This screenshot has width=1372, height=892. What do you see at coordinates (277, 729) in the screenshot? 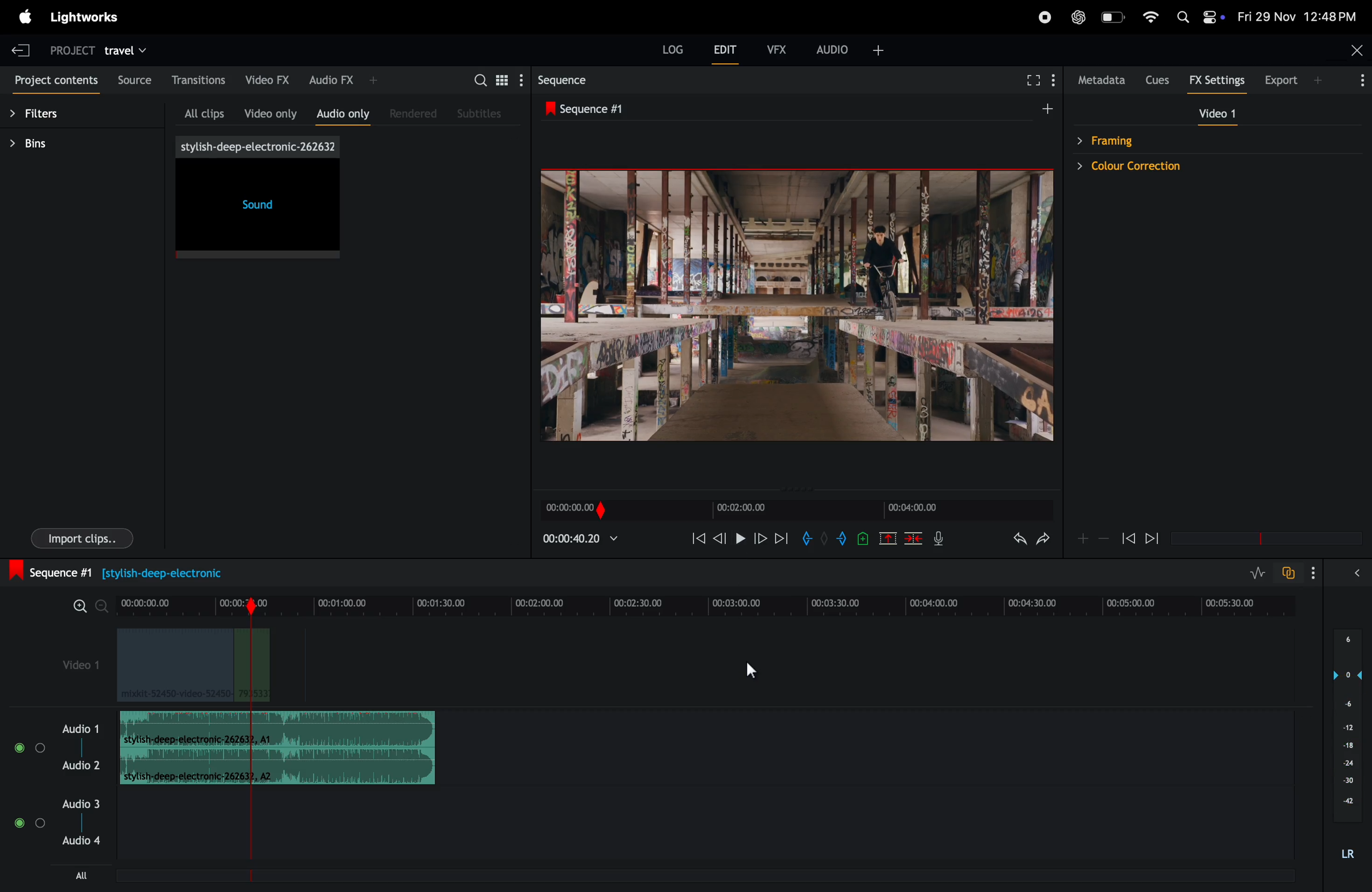
I see `audio. clip` at bounding box center [277, 729].